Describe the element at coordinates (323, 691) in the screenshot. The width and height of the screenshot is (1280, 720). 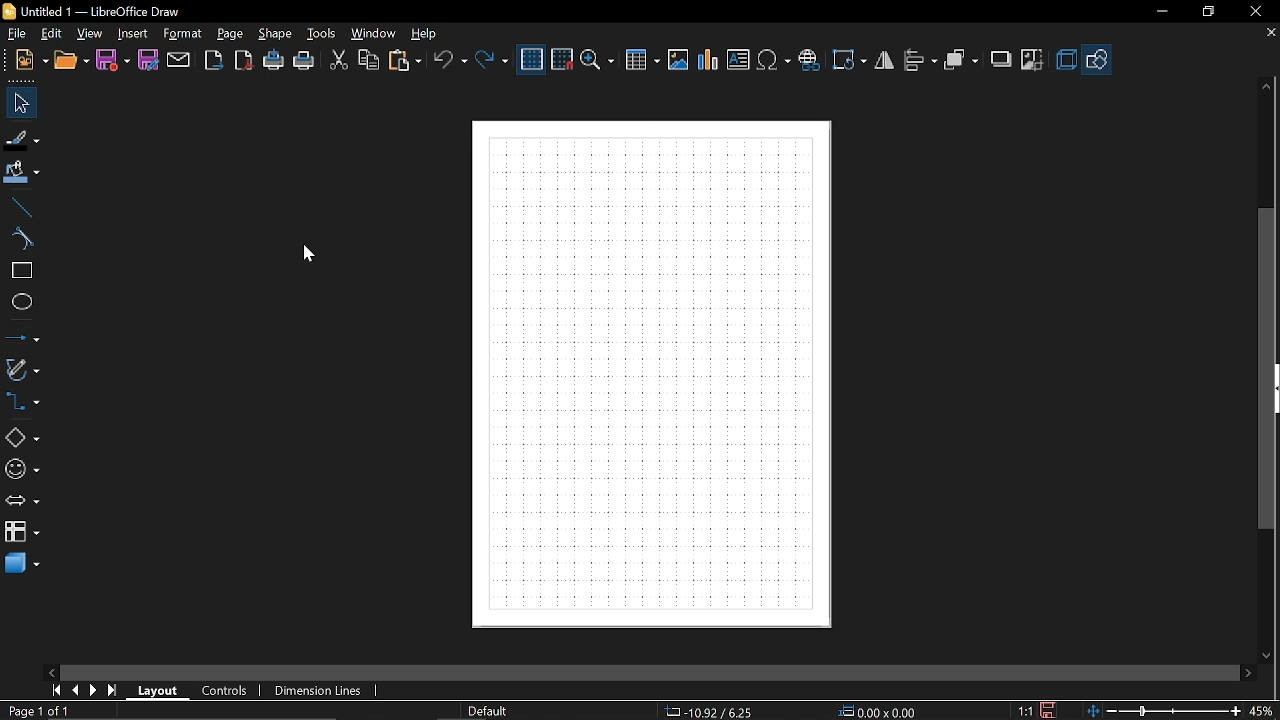
I see `dimension lines` at that location.